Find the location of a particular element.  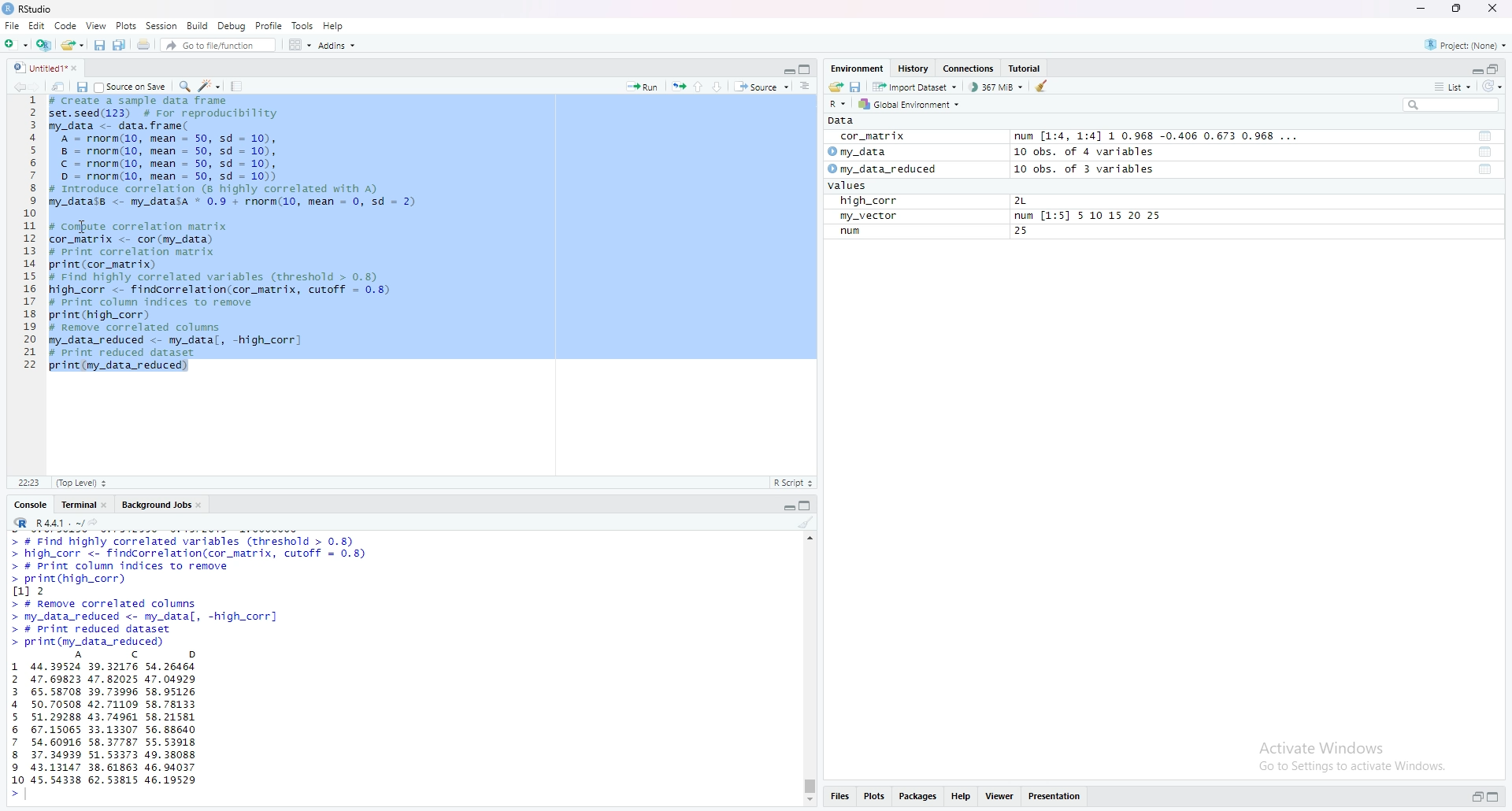

share is located at coordinates (94, 523).